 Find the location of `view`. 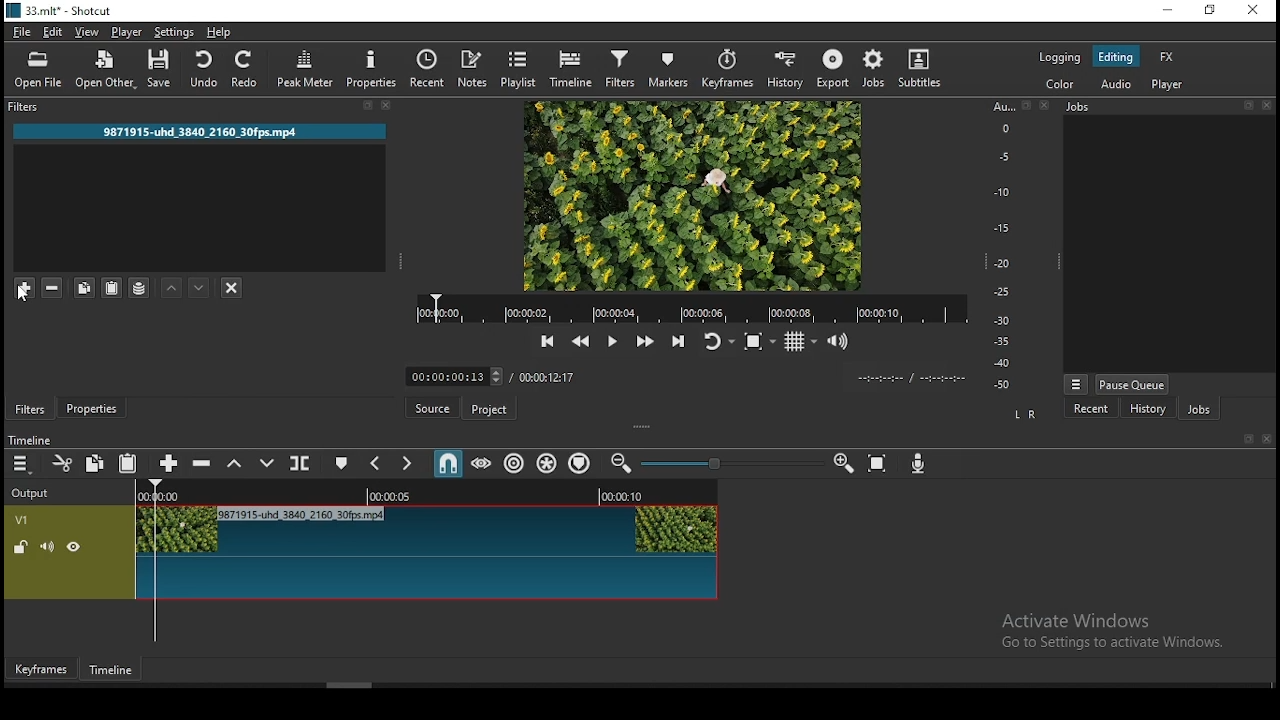

view is located at coordinates (88, 31).